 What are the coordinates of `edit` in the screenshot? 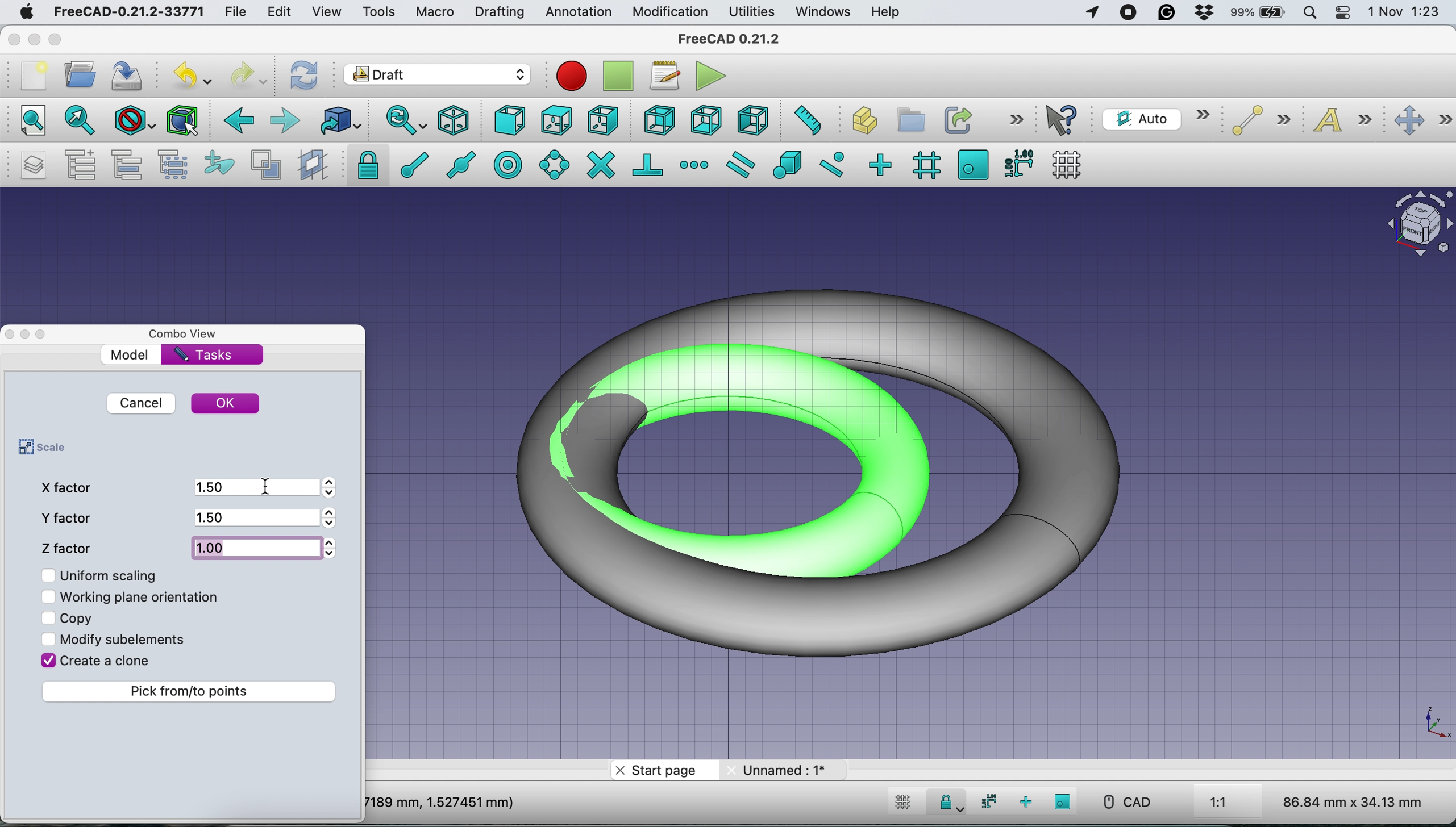 It's located at (281, 12).